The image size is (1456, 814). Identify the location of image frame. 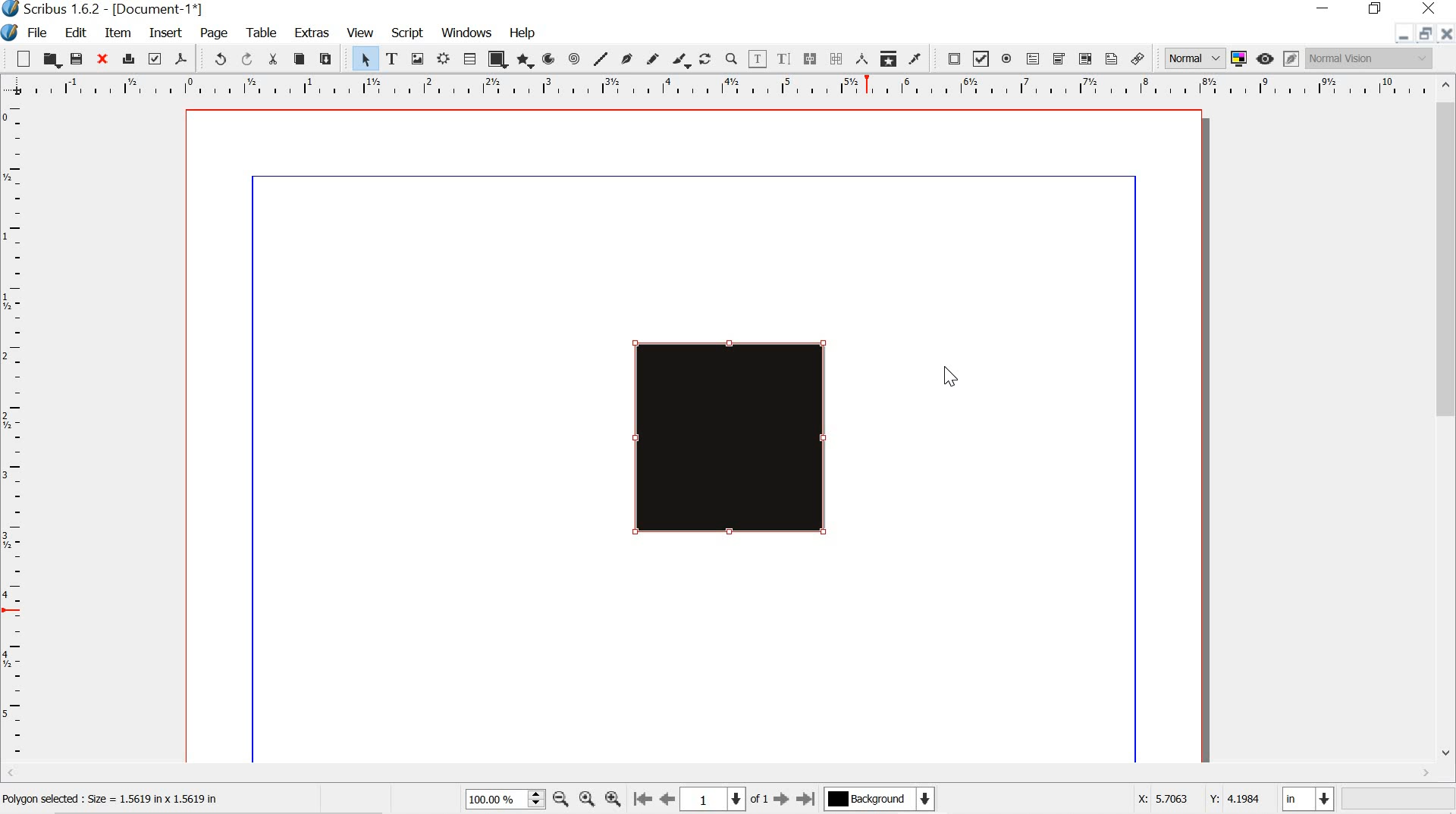
(418, 58).